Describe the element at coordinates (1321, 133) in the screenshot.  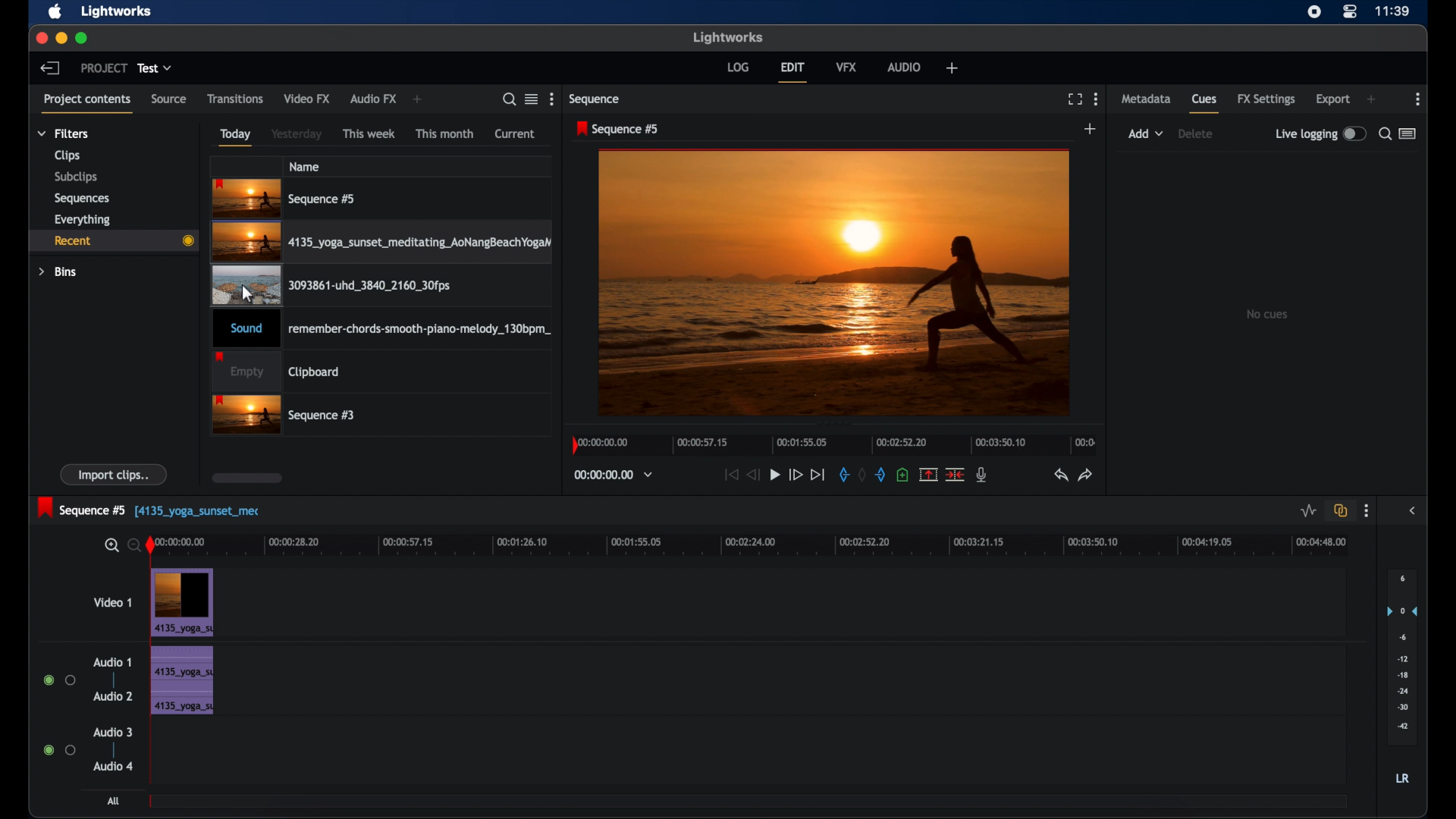
I see `live logging` at that location.